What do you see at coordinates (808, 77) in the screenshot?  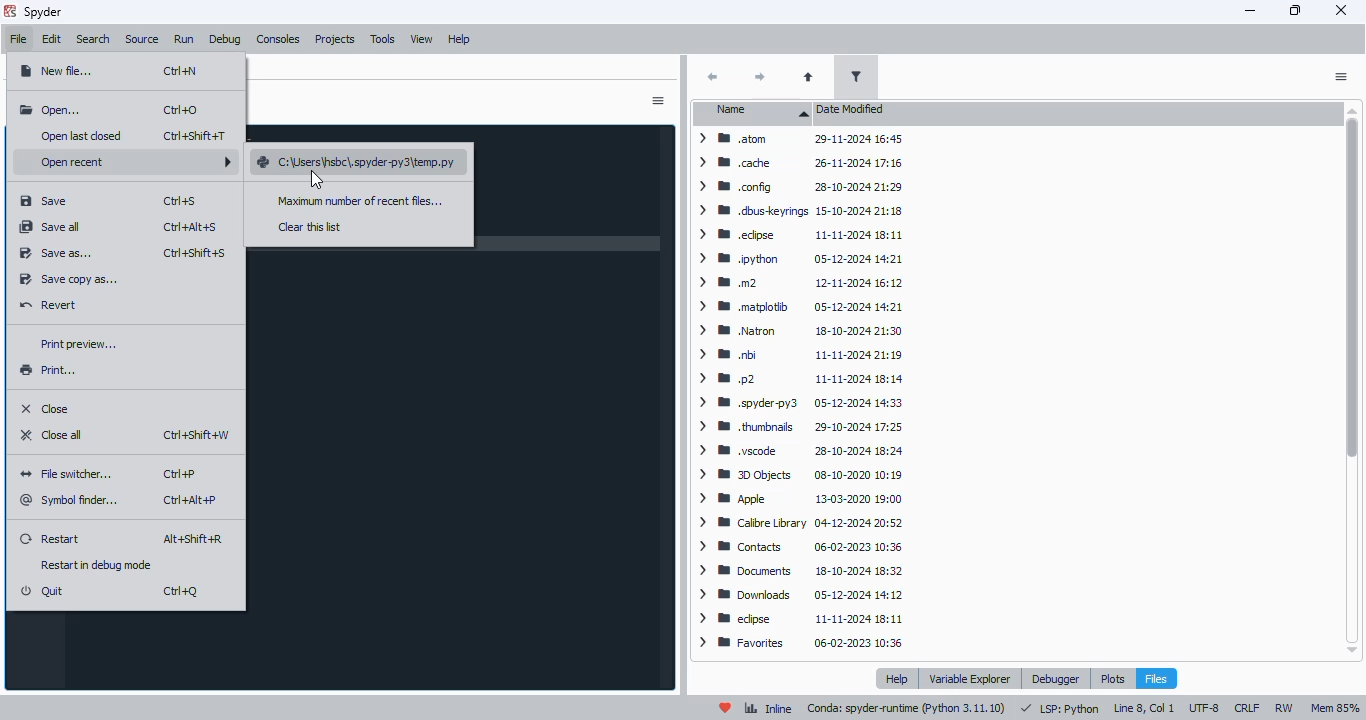 I see `parent` at bounding box center [808, 77].